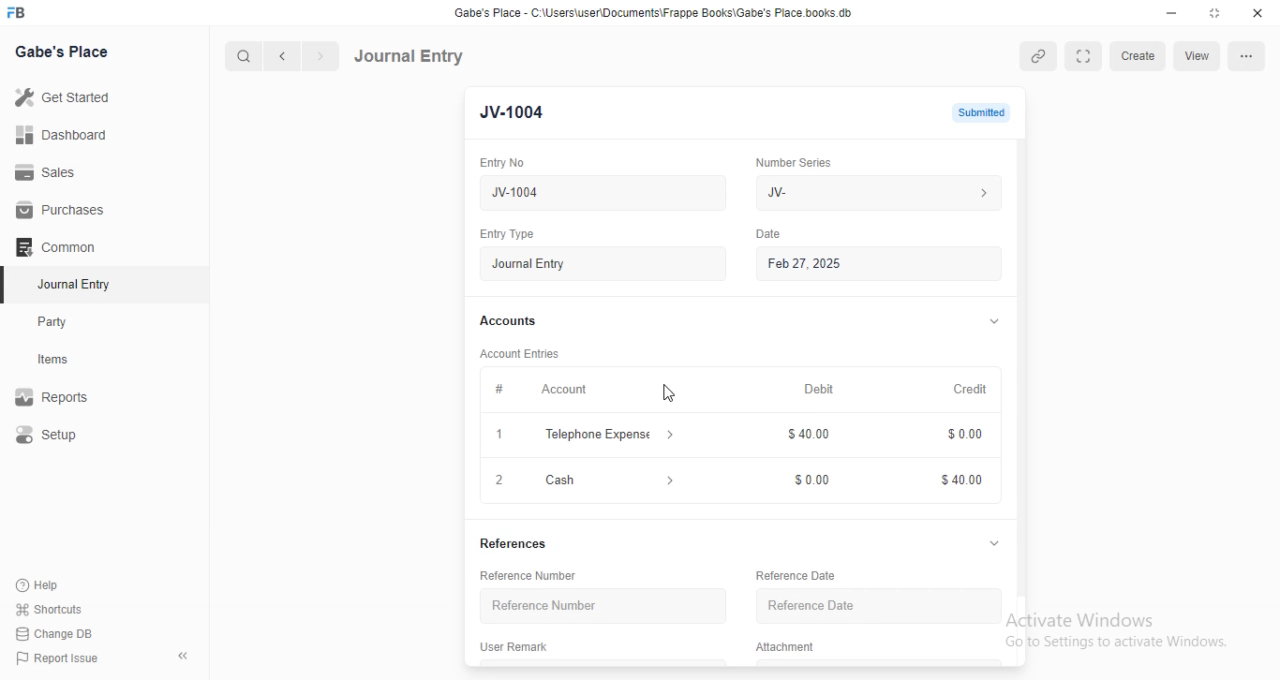 The image size is (1280, 680). I want to click on Feb 27, 2025, so click(883, 264).